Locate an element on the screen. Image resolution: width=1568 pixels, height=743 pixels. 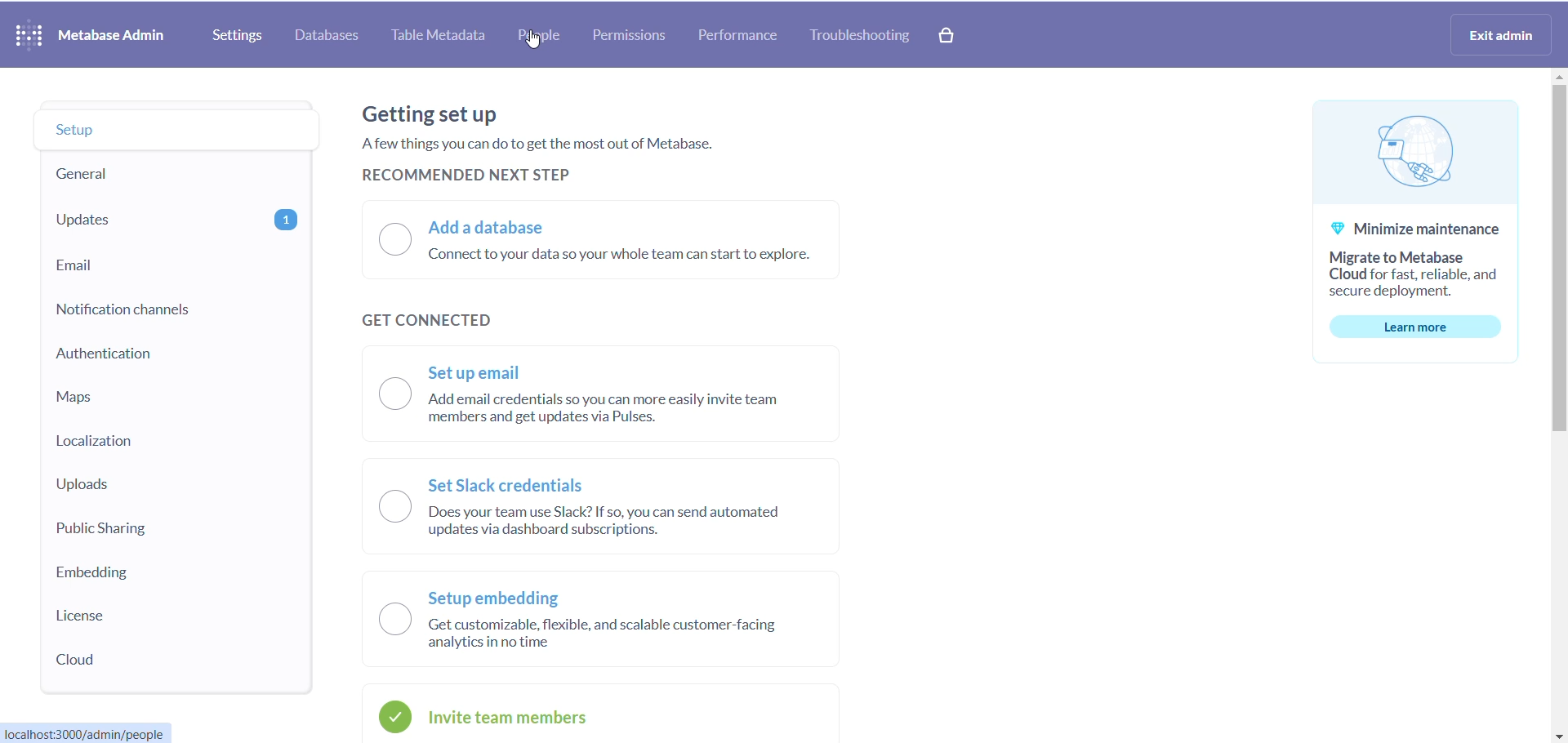
set up email radio button is located at coordinates (607, 400).